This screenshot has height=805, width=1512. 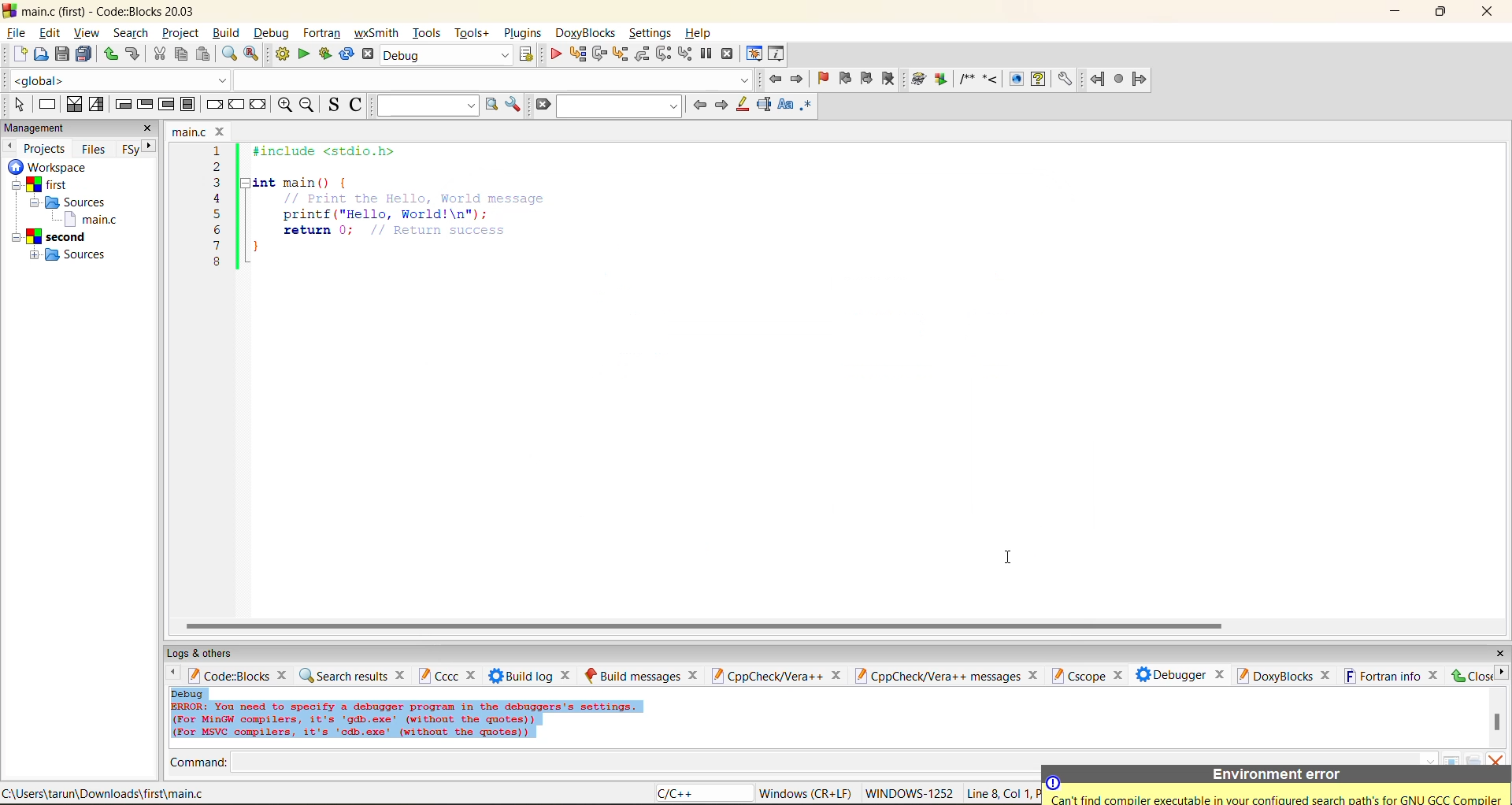 I want to click on cursor, so click(x=24, y=40).